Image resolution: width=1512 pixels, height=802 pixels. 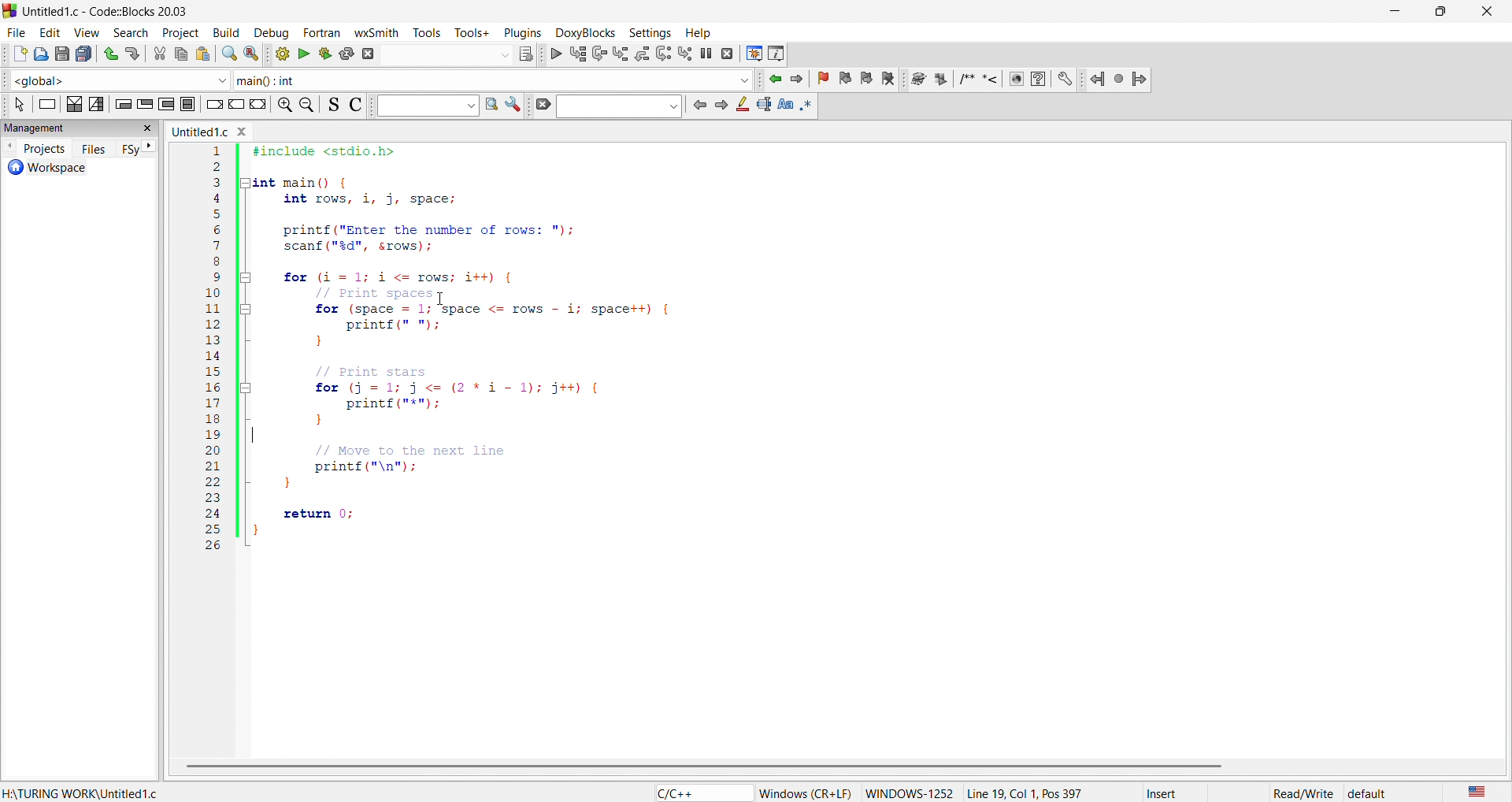 I want to click on save, so click(x=60, y=54).